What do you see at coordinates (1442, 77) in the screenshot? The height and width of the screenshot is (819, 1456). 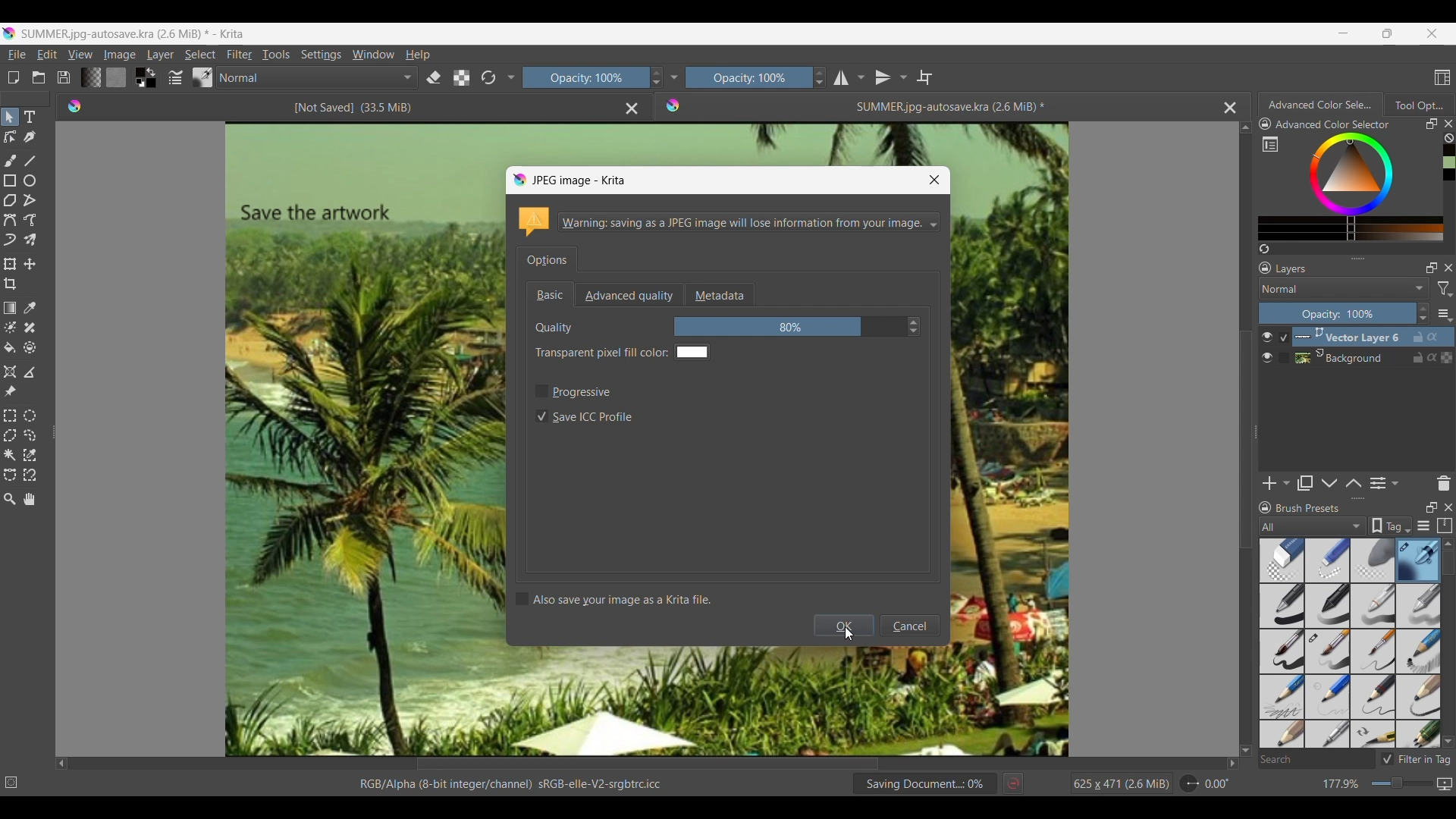 I see `Choose workspace` at bounding box center [1442, 77].